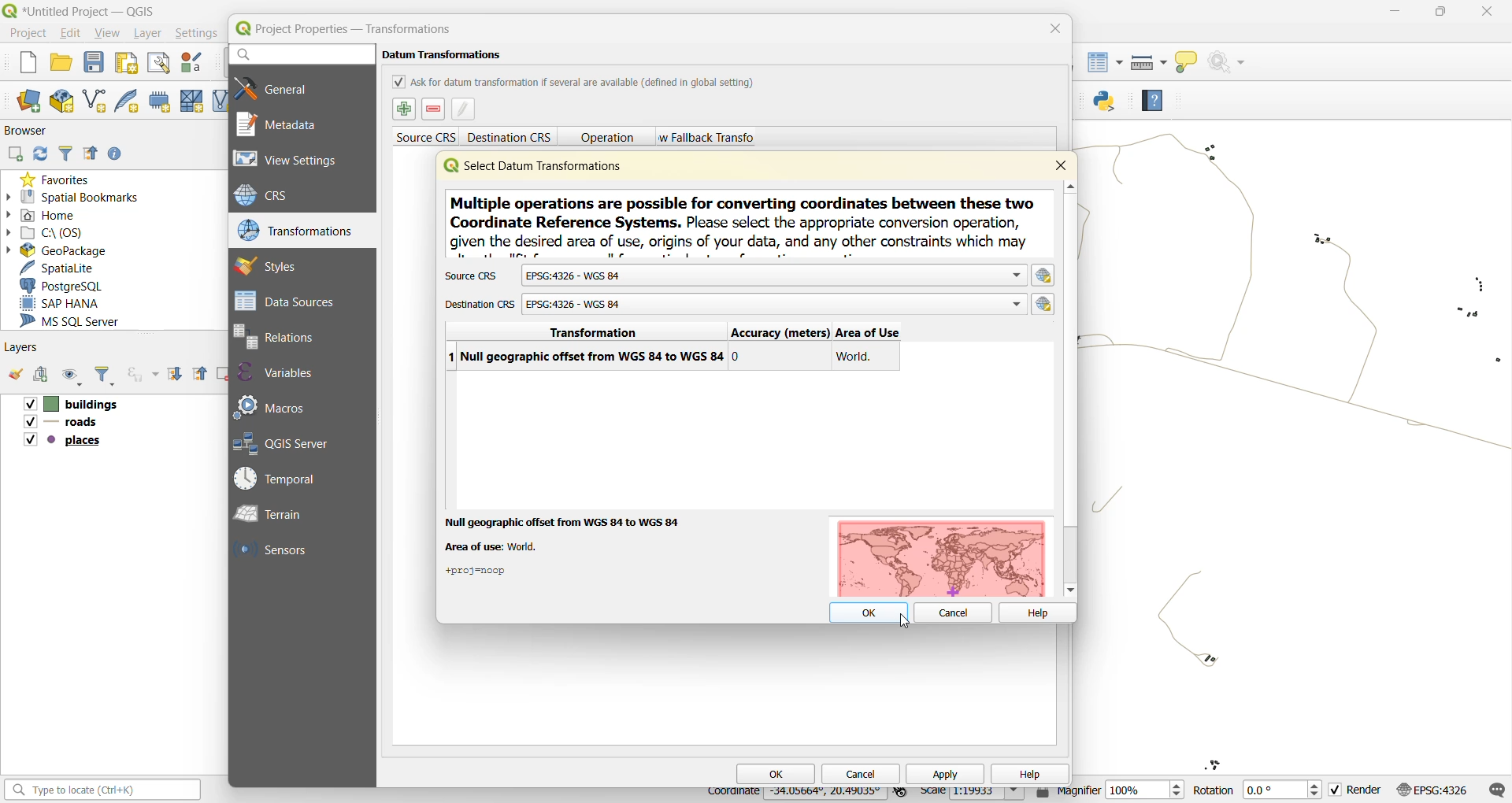  What do you see at coordinates (58, 250) in the screenshot?
I see `geopackage` at bounding box center [58, 250].